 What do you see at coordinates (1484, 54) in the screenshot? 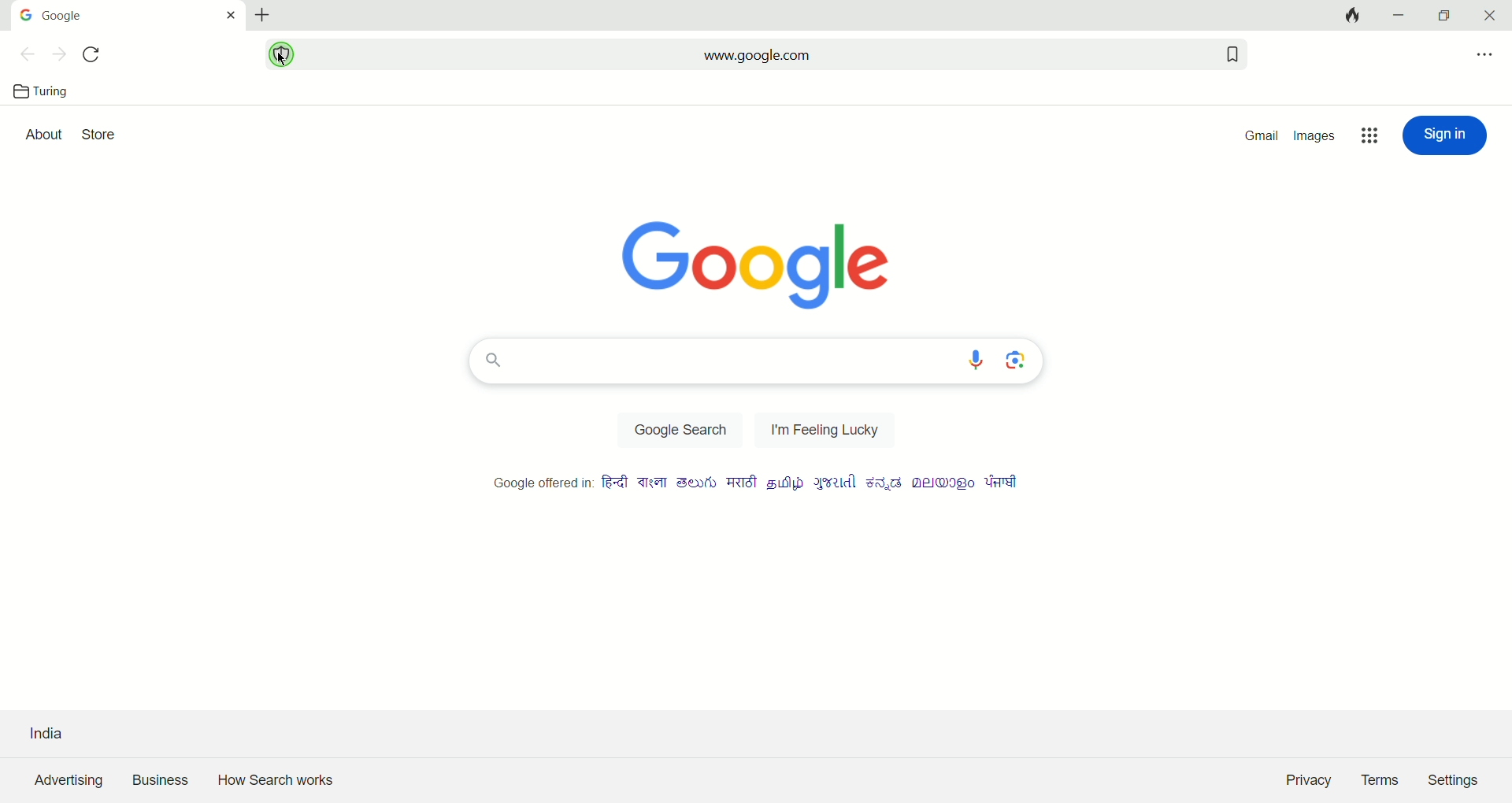
I see `options` at bounding box center [1484, 54].